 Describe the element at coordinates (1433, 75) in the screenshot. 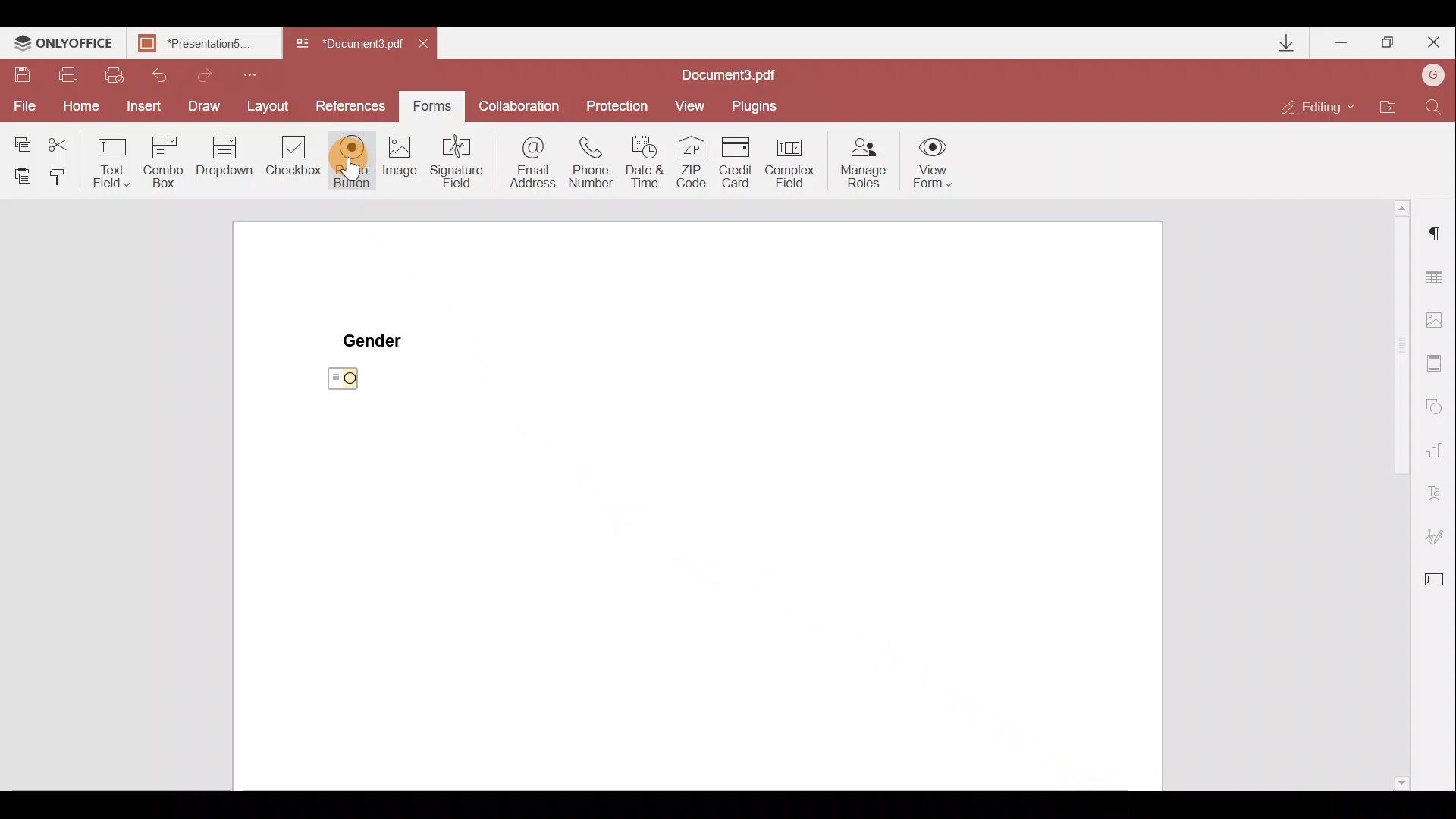

I see `Account name` at that location.